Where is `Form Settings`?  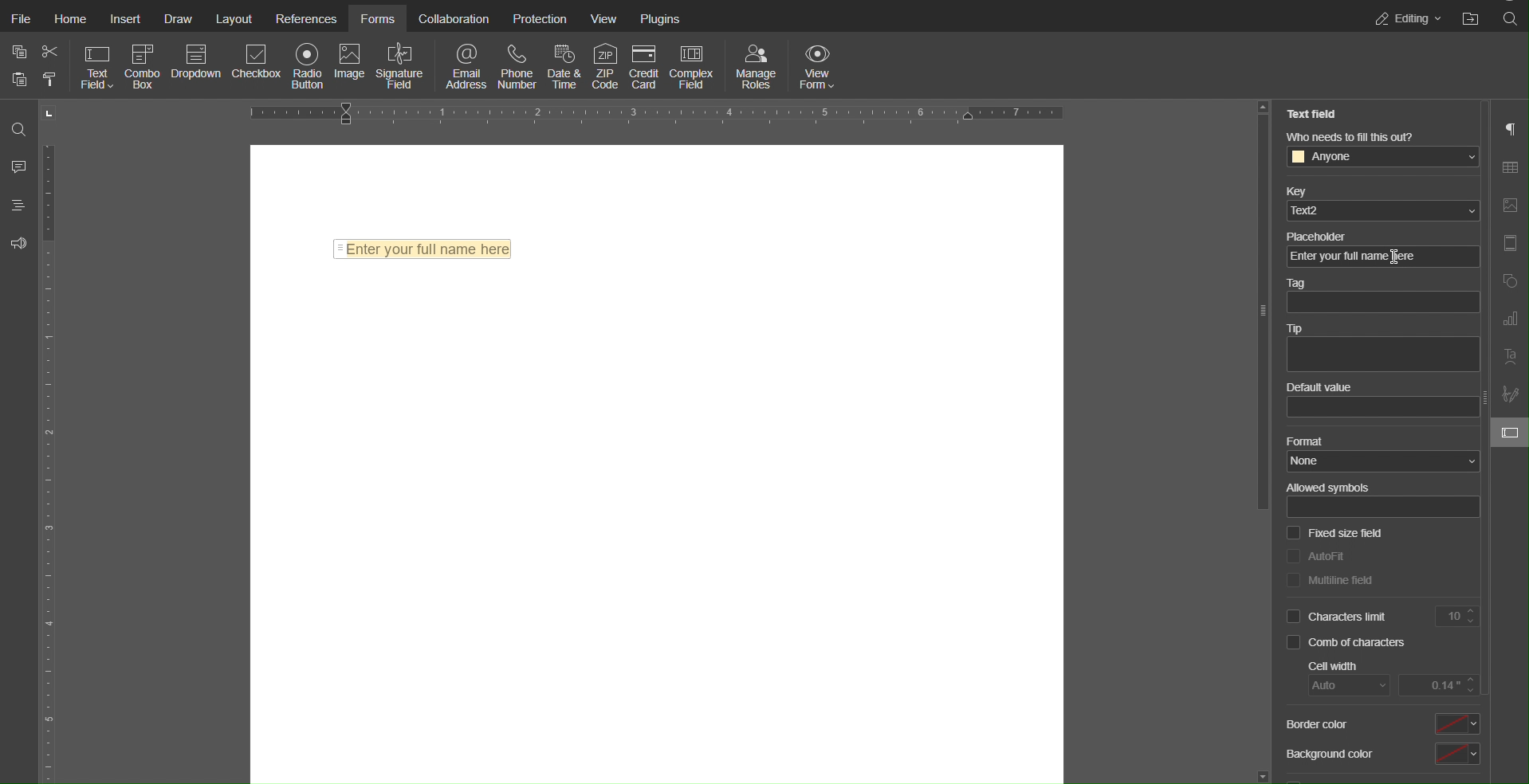 Form Settings is located at coordinates (1511, 436).